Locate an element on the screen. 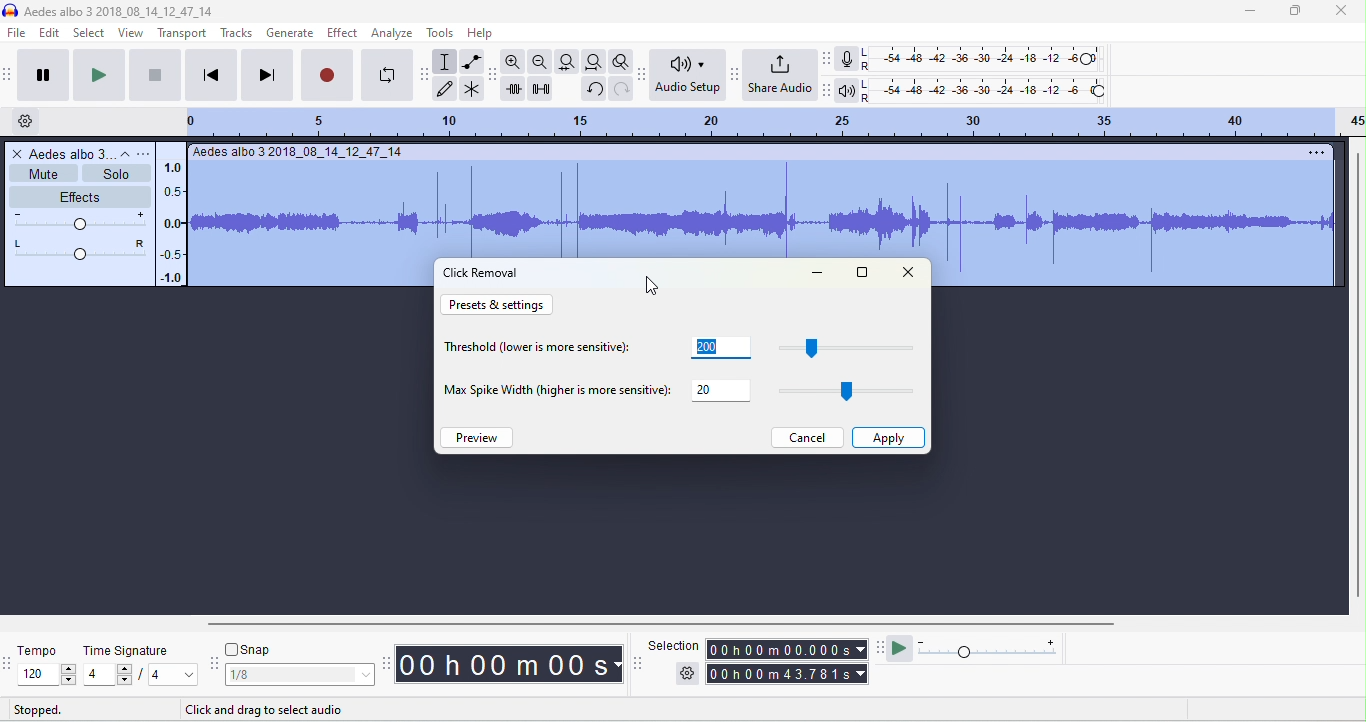 The height and width of the screenshot is (722, 1366). drag to change max spike width is located at coordinates (847, 391).